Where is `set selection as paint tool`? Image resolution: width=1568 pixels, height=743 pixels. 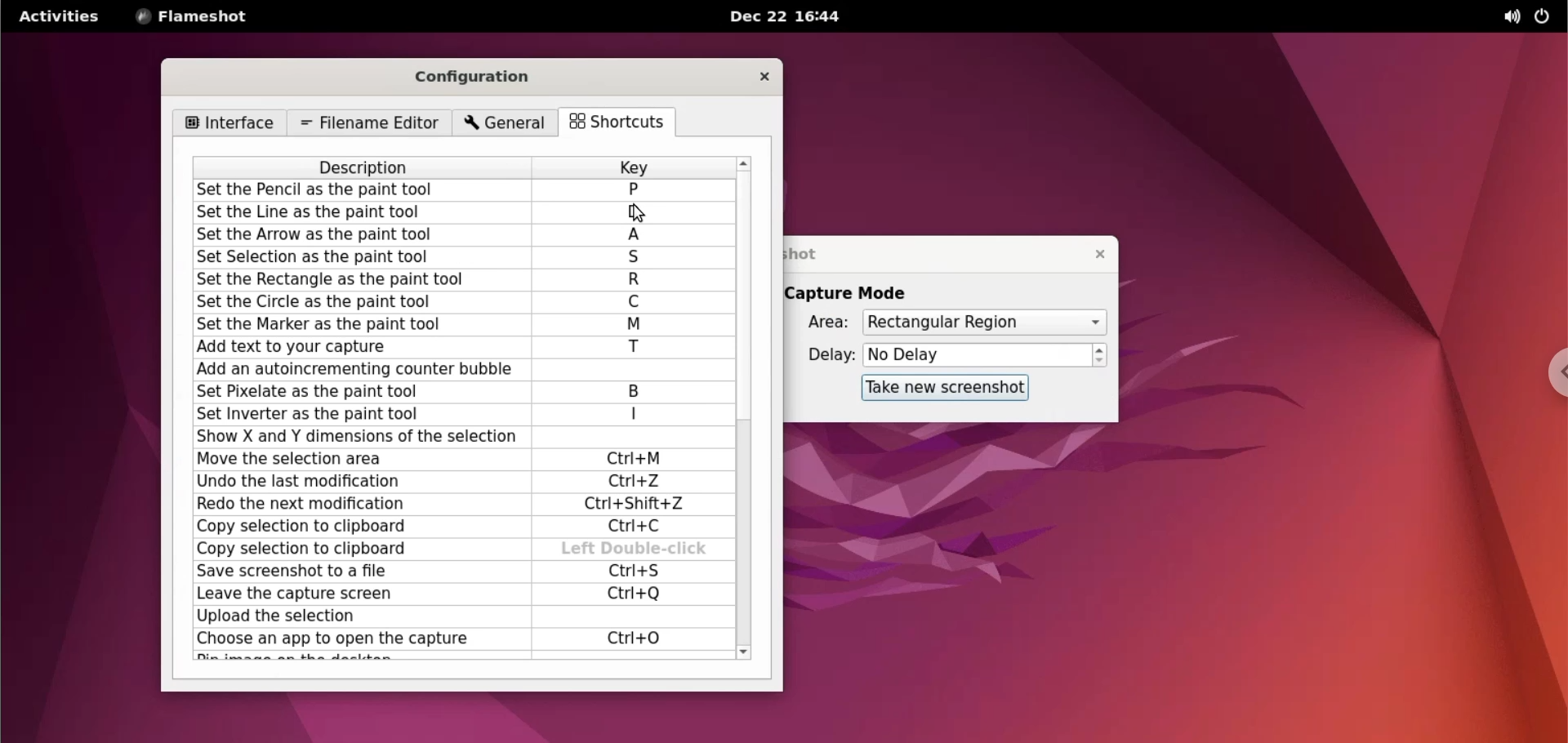 set selection as paint tool is located at coordinates (360, 259).